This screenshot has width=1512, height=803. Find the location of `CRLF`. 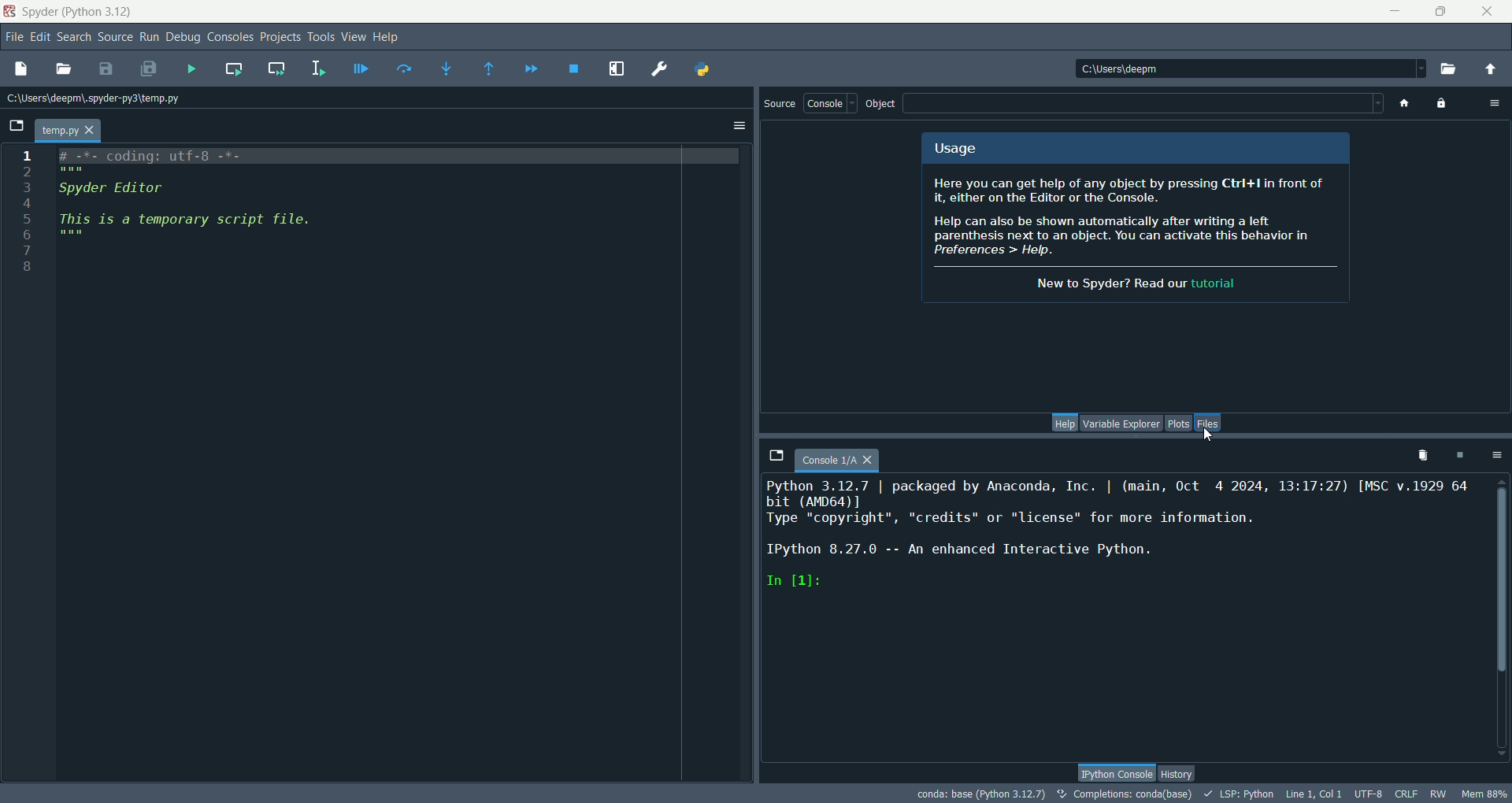

CRLF is located at coordinates (1406, 794).